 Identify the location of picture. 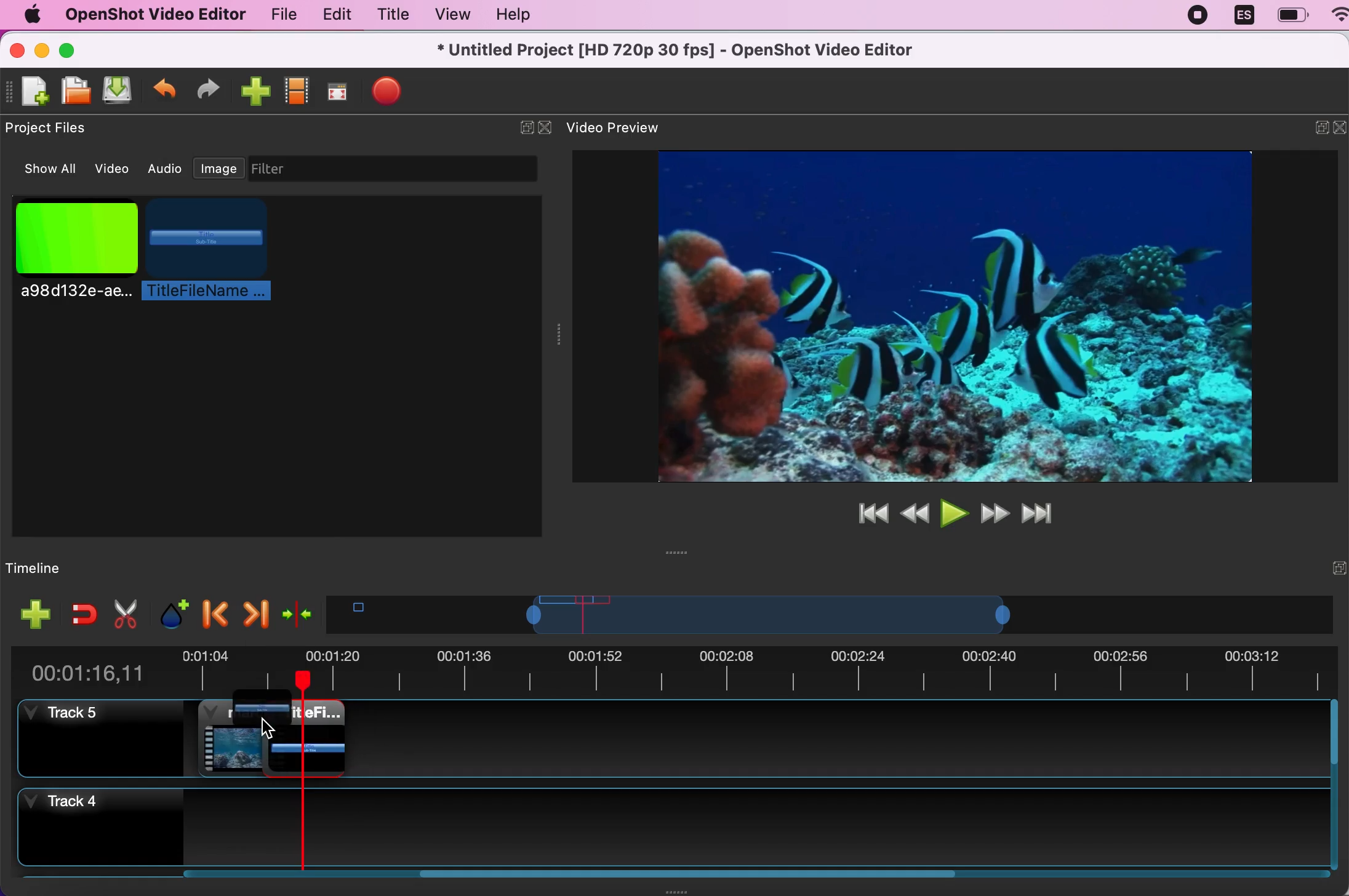
(73, 258).